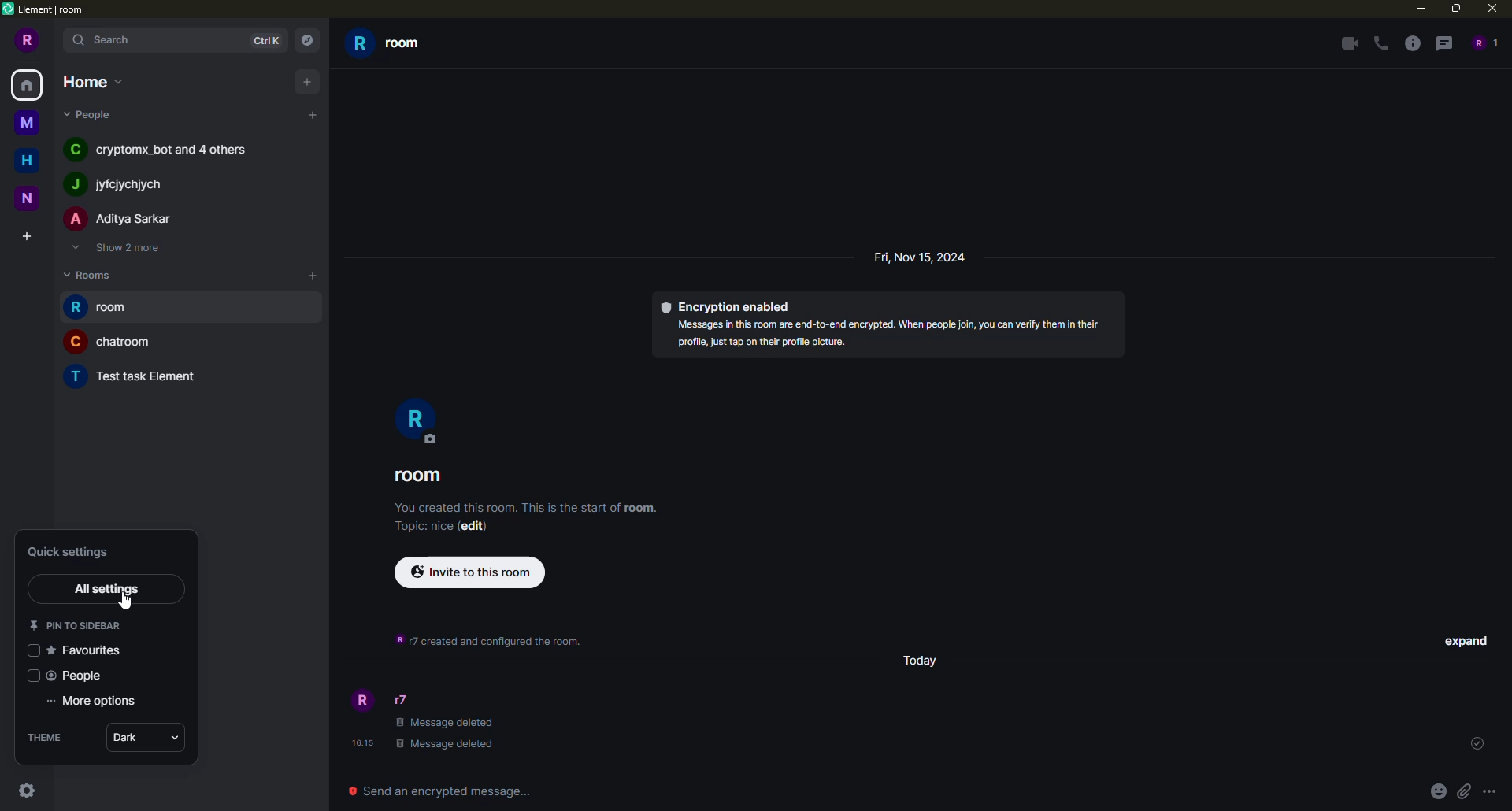 The height and width of the screenshot is (811, 1512). Describe the element at coordinates (46, 738) in the screenshot. I see `theme` at that location.